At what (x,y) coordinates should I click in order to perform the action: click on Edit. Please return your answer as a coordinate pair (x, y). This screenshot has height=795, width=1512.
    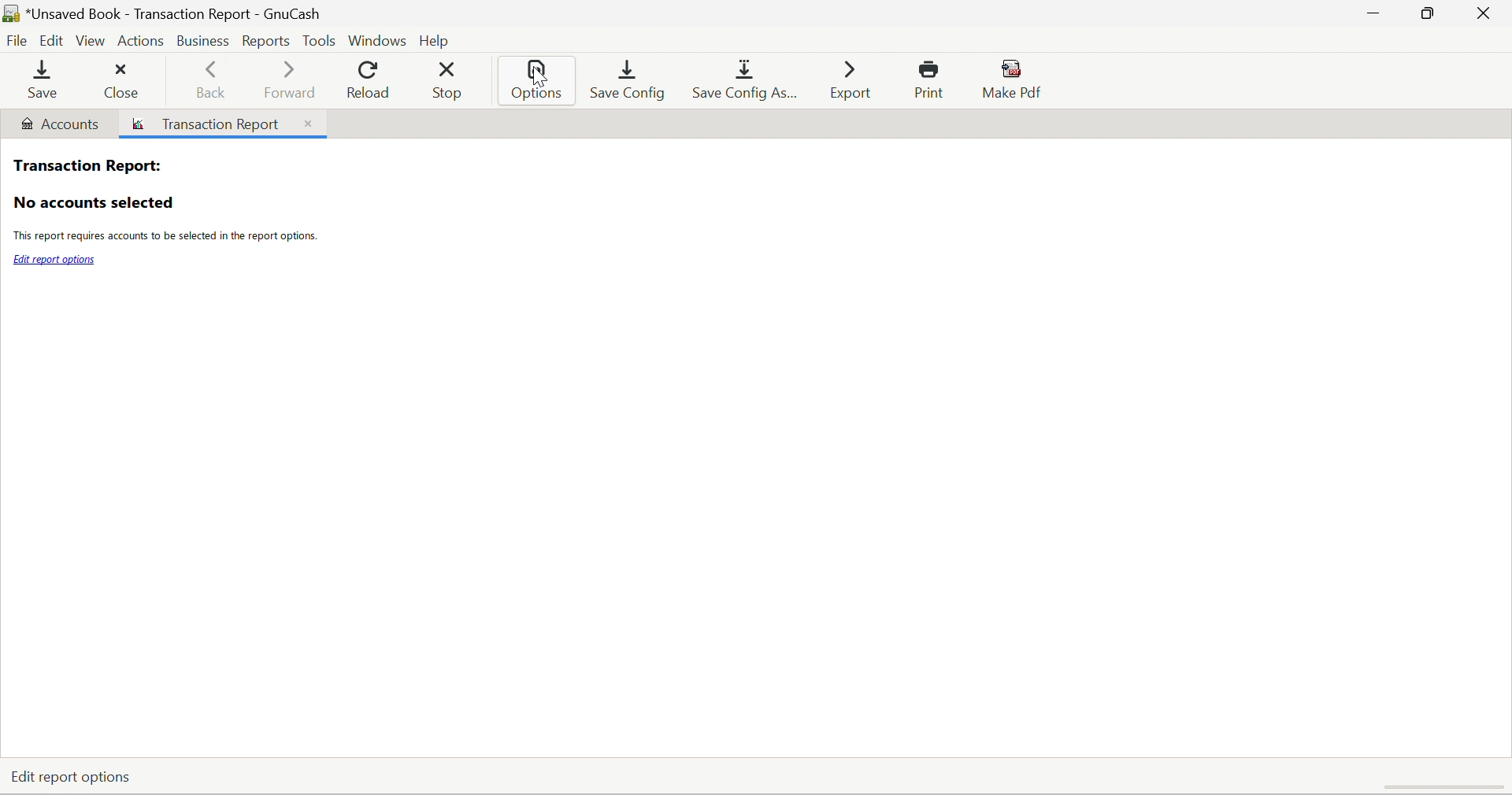
    Looking at the image, I should click on (54, 41).